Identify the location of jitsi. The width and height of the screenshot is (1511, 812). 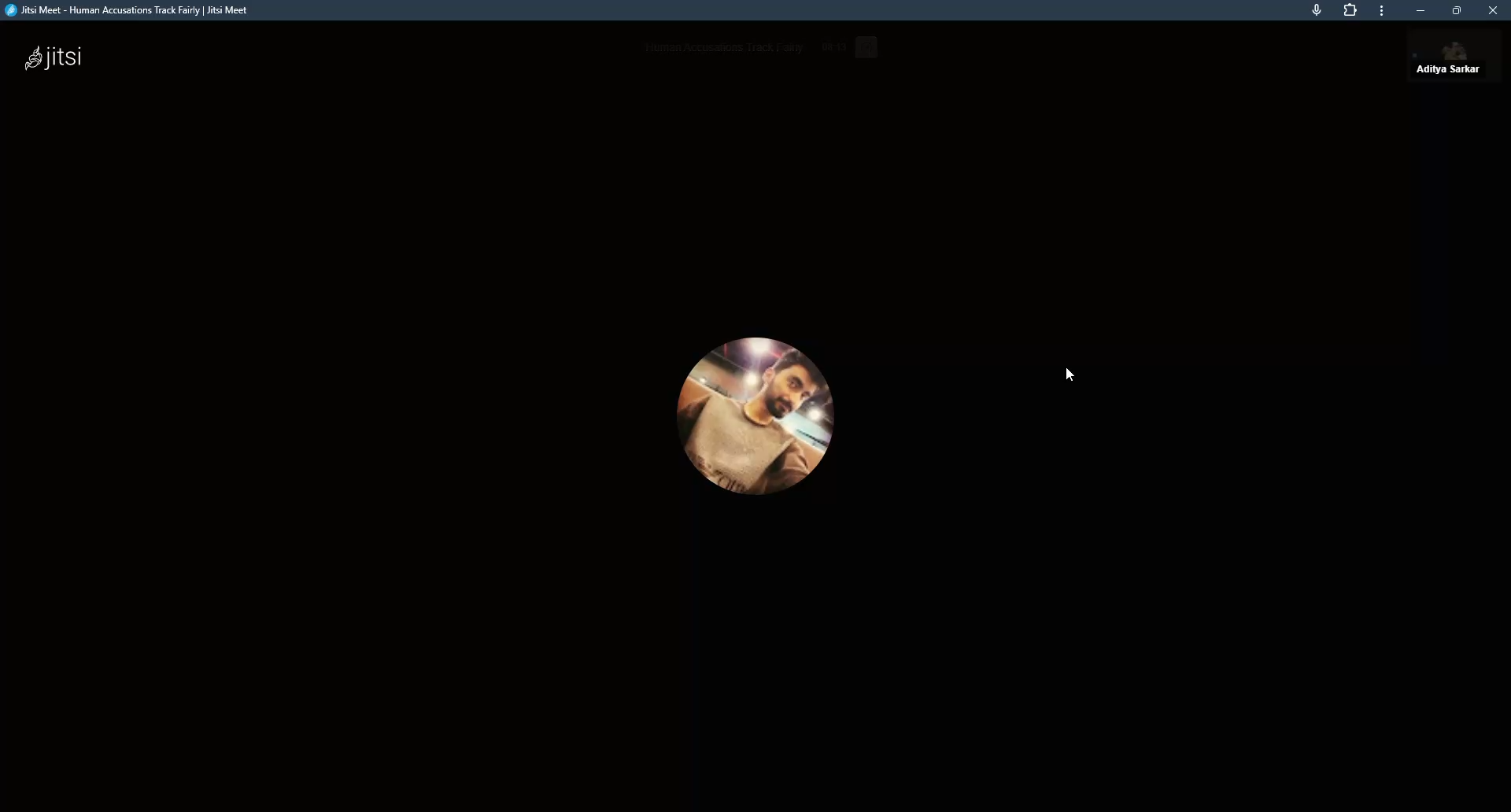
(61, 57).